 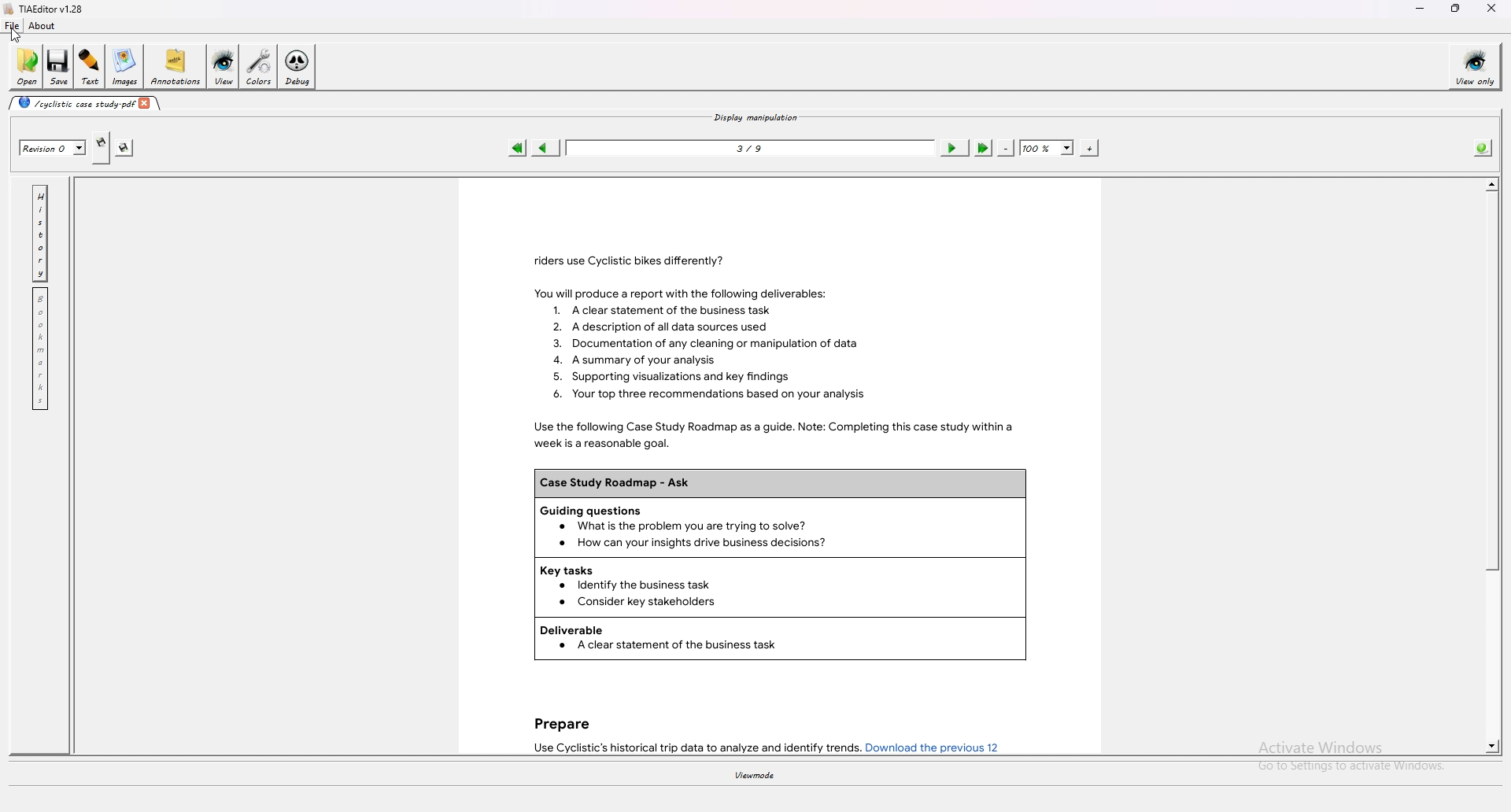 I want to click on riders use Cyclistic bikes differently?, so click(x=623, y=257).